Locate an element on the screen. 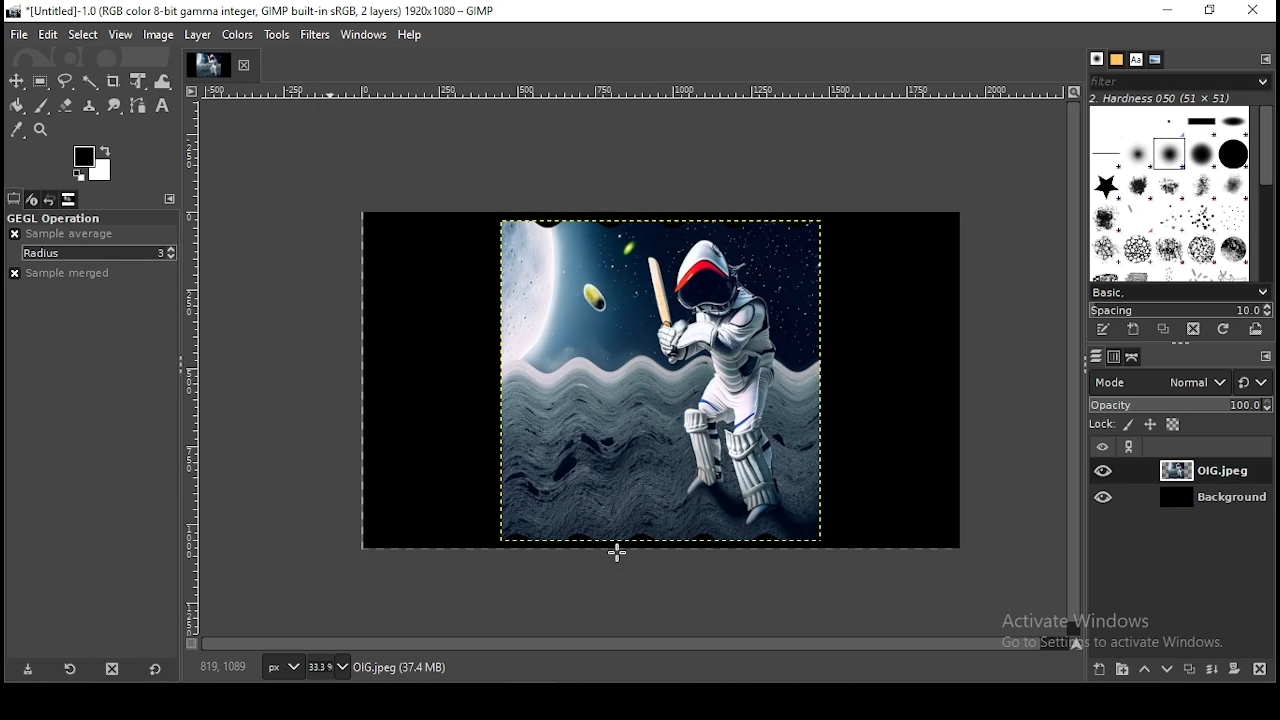 The image size is (1280, 720). refresh brushes is located at coordinates (1223, 328).